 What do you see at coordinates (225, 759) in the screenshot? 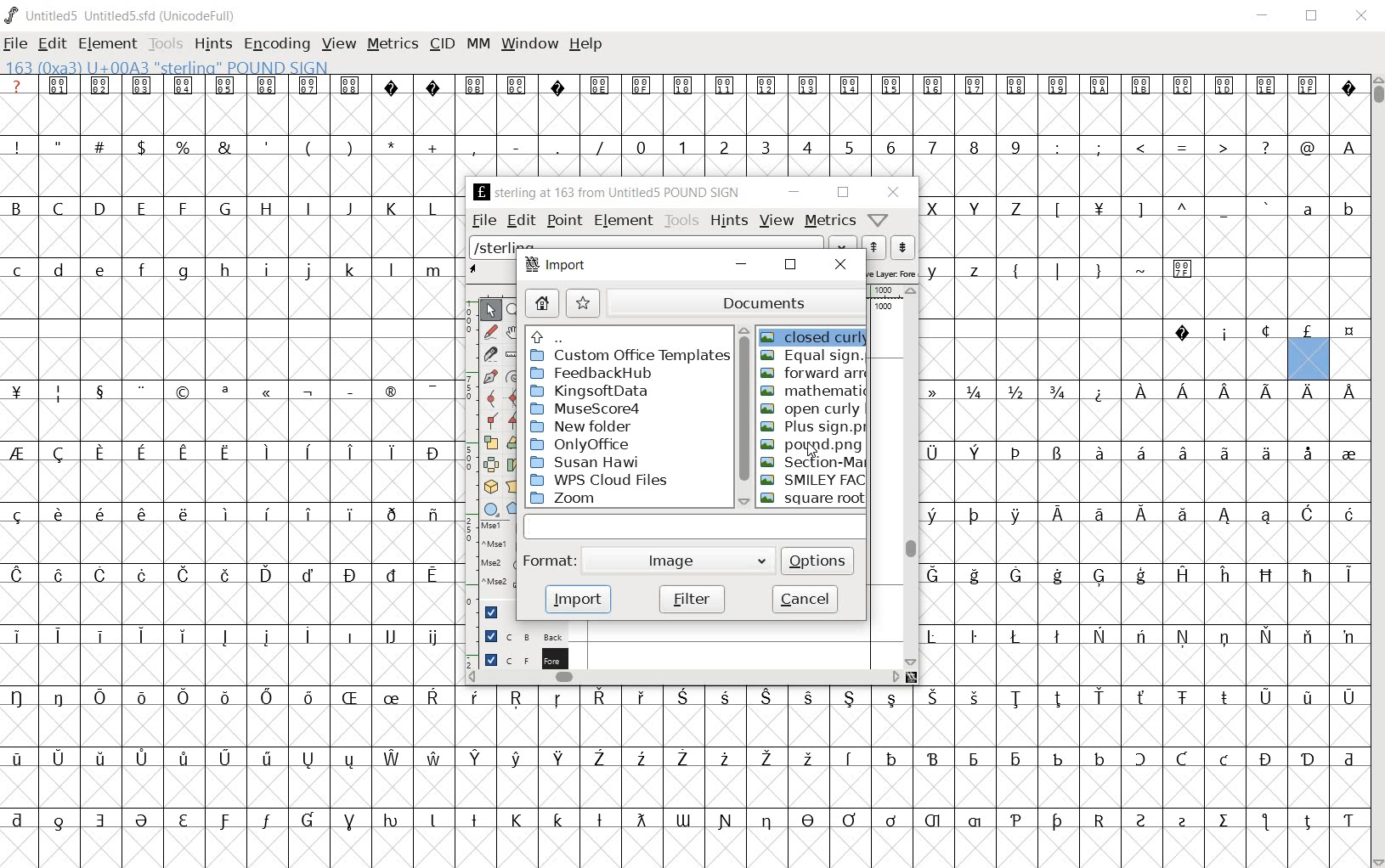
I see `Symbol` at bounding box center [225, 759].